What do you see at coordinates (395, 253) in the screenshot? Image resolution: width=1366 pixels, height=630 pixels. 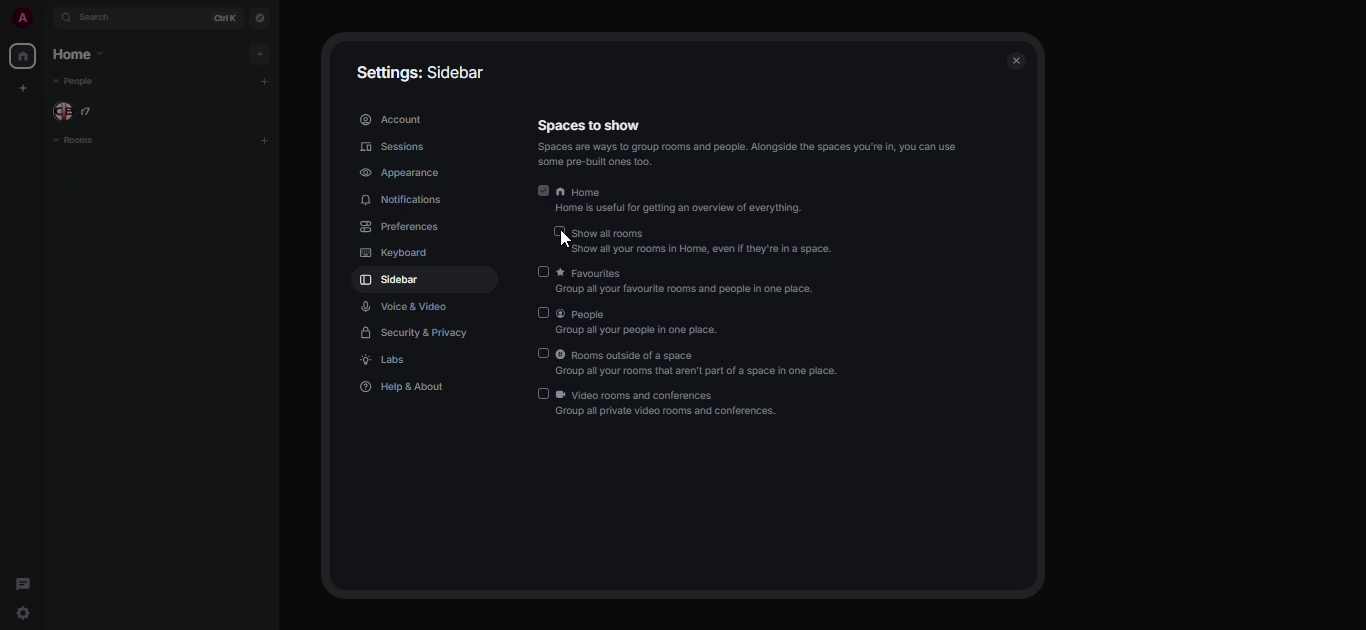 I see `keyboard` at bounding box center [395, 253].